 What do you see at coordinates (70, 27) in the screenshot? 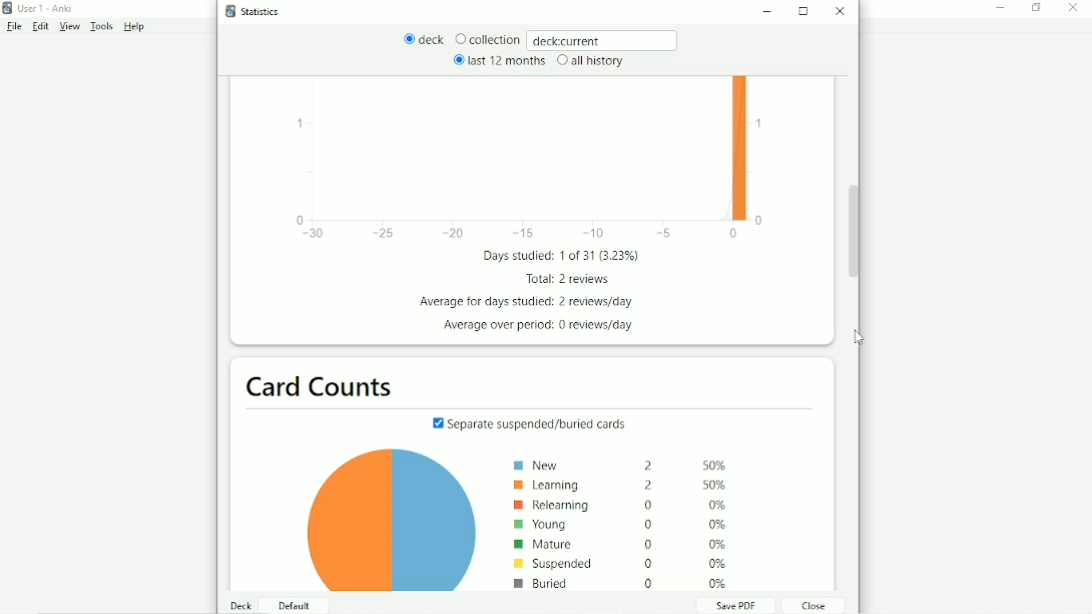
I see `View` at bounding box center [70, 27].